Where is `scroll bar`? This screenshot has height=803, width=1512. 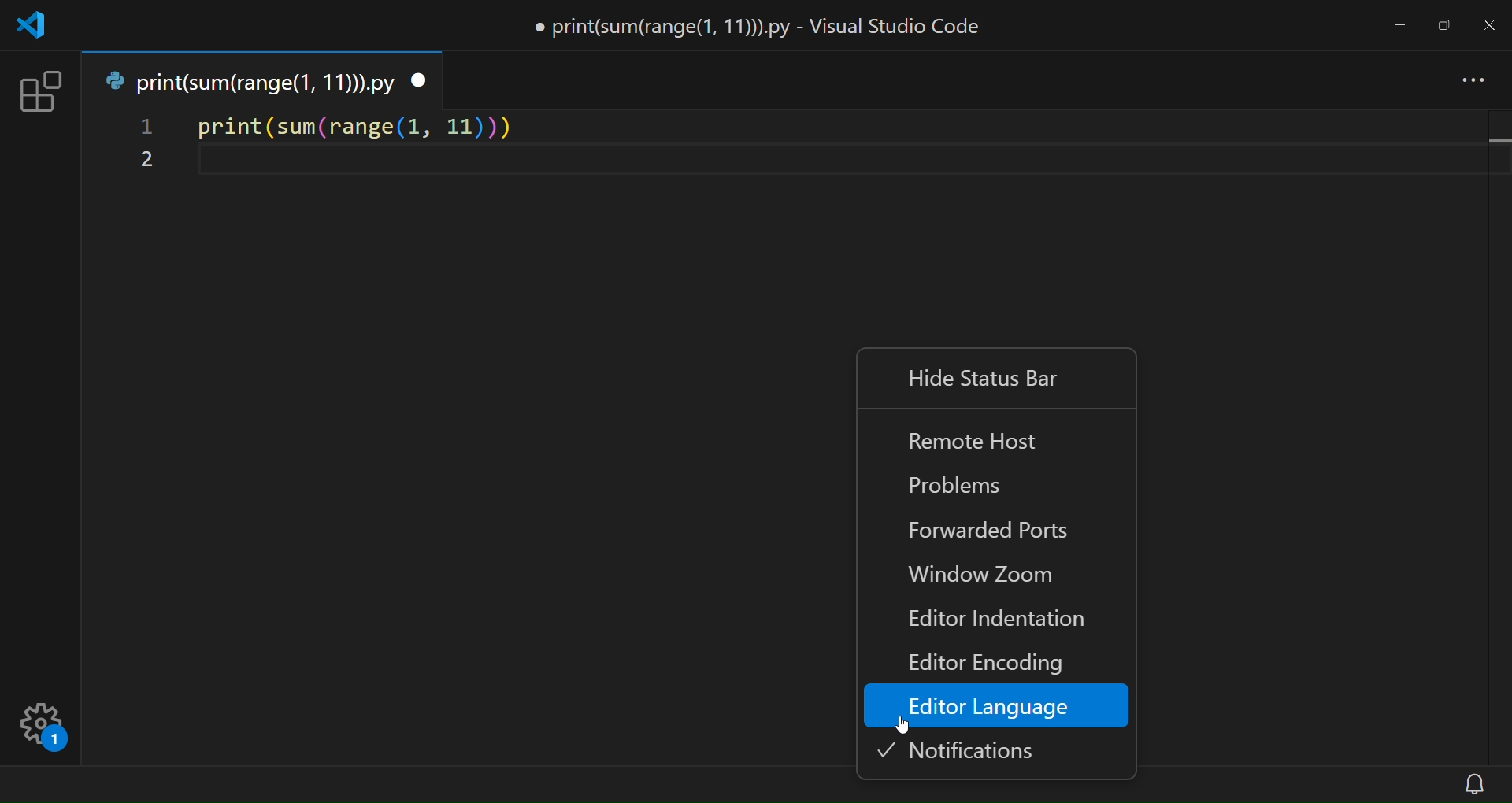
scroll bar is located at coordinates (1496, 436).